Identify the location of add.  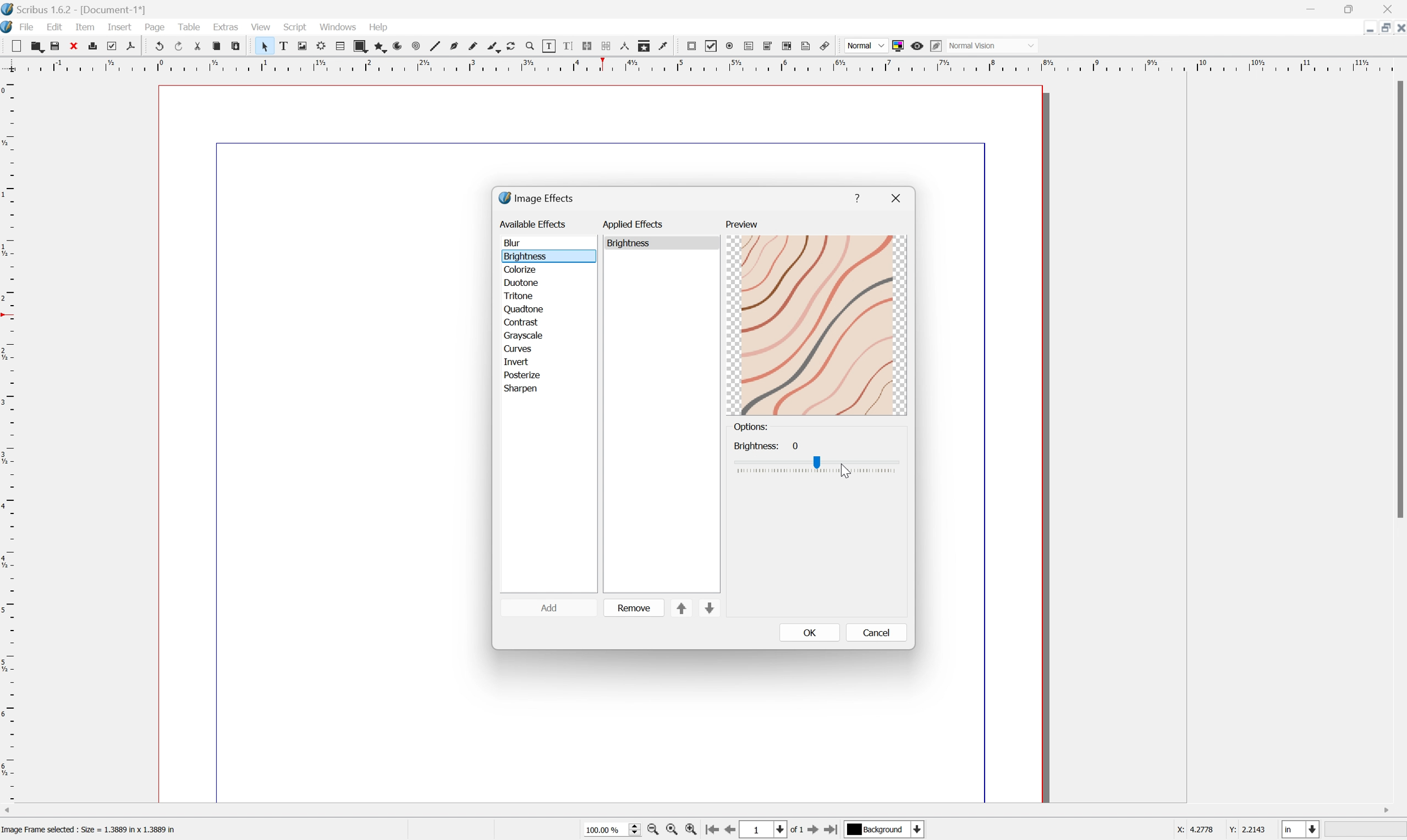
(555, 608).